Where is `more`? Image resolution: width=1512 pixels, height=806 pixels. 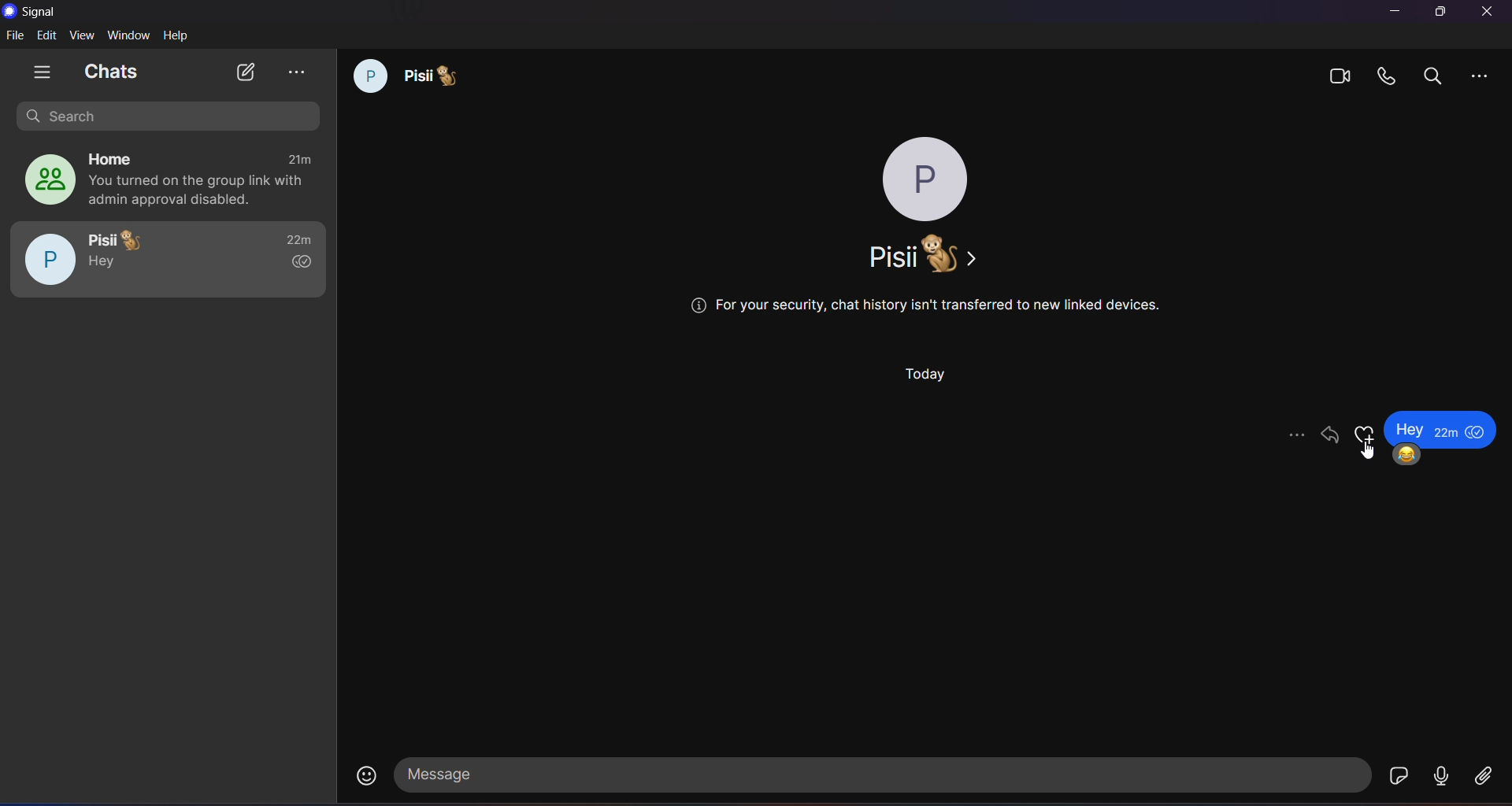
more is located at coordinates (1295, 434).